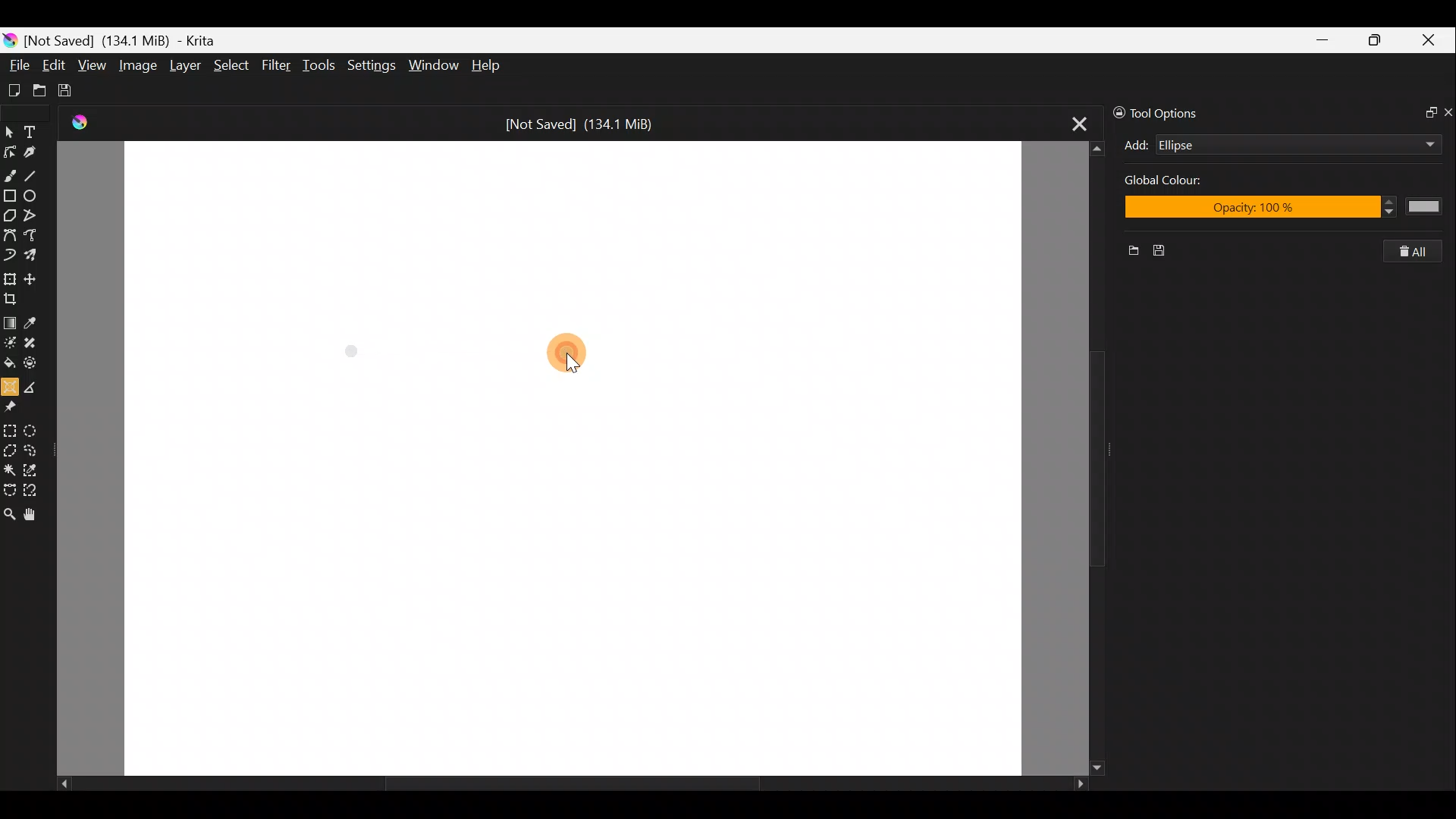  What do you see at coordinates (10, 448) in the screenshot?
I see `Polygonal selection tool` at bounding box center [10, 448].